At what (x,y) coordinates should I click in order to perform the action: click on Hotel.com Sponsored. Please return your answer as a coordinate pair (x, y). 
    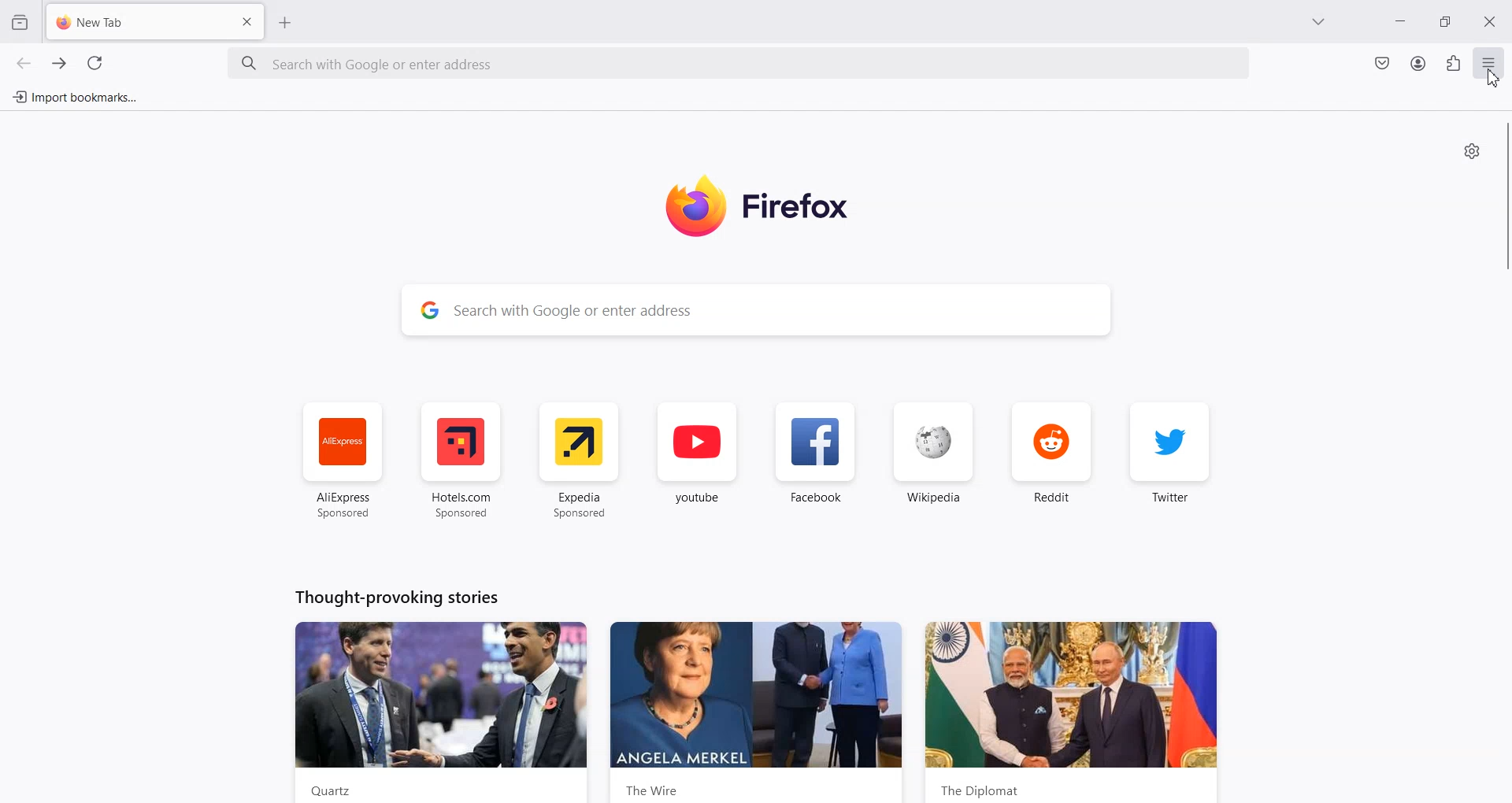
    Looking at the image, I should click on (464, 458).